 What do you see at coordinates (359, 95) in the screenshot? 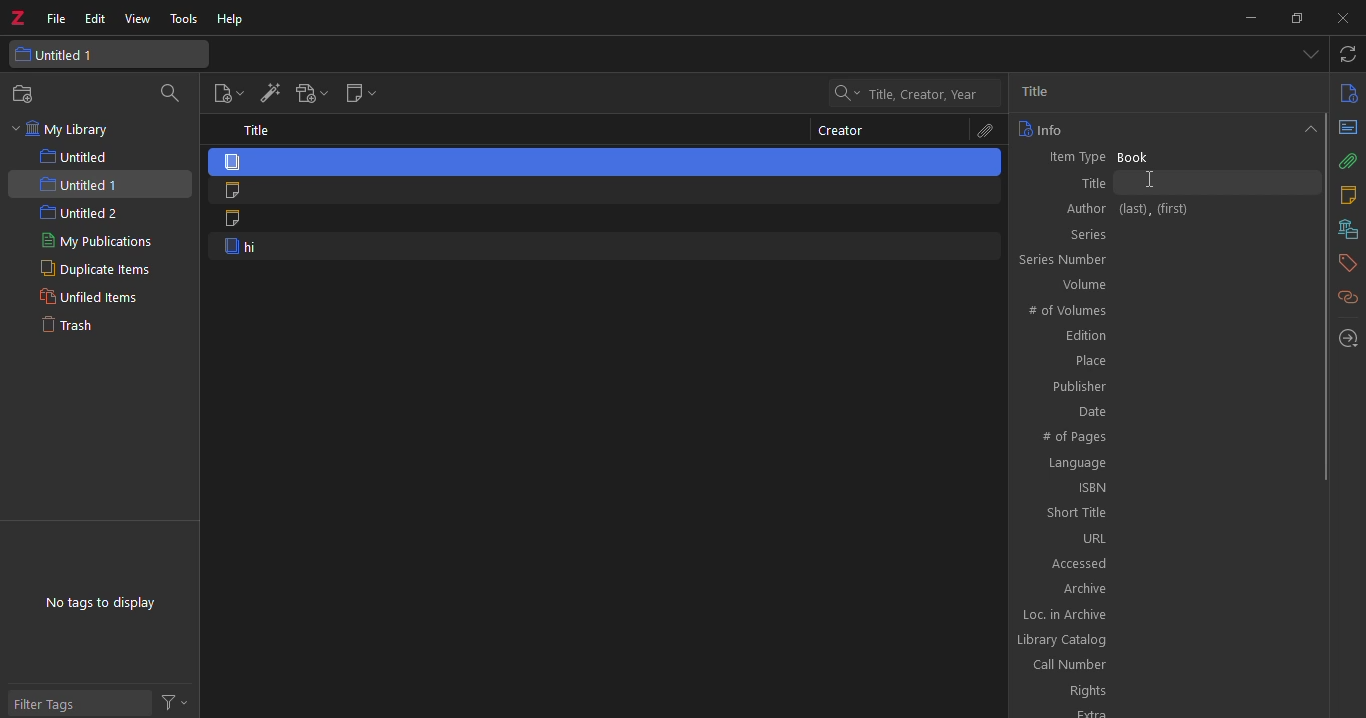
I see `new note` at bounding box center [359, 95].